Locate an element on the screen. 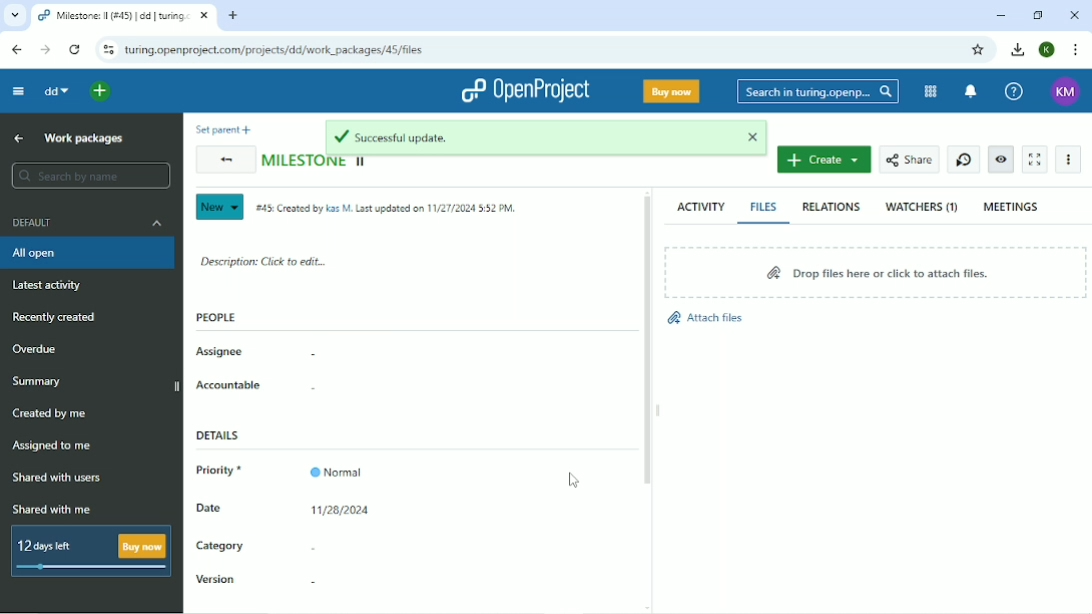  Shared with me is located at coordinates (55, 509).